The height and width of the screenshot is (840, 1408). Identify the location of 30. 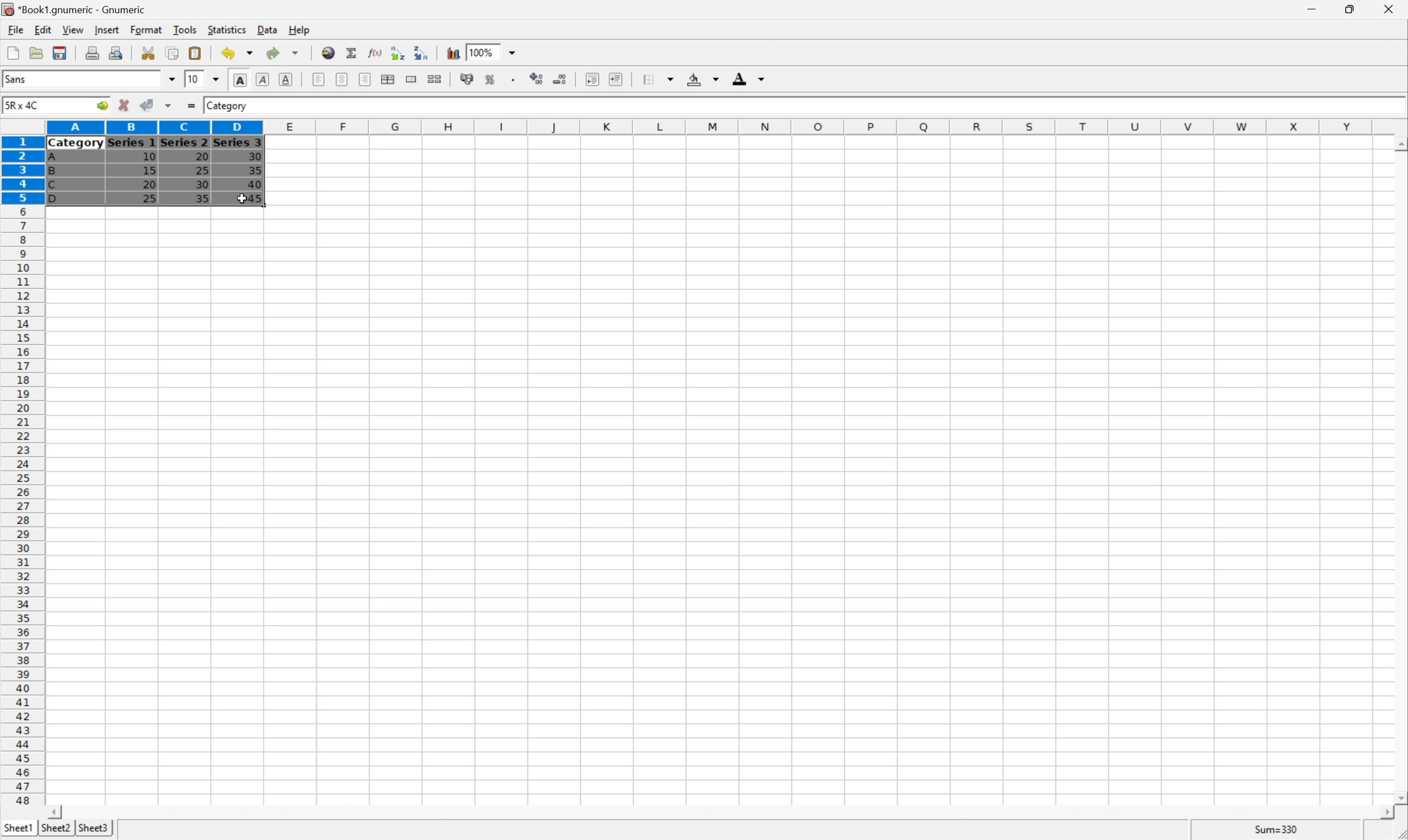
(203, 186).